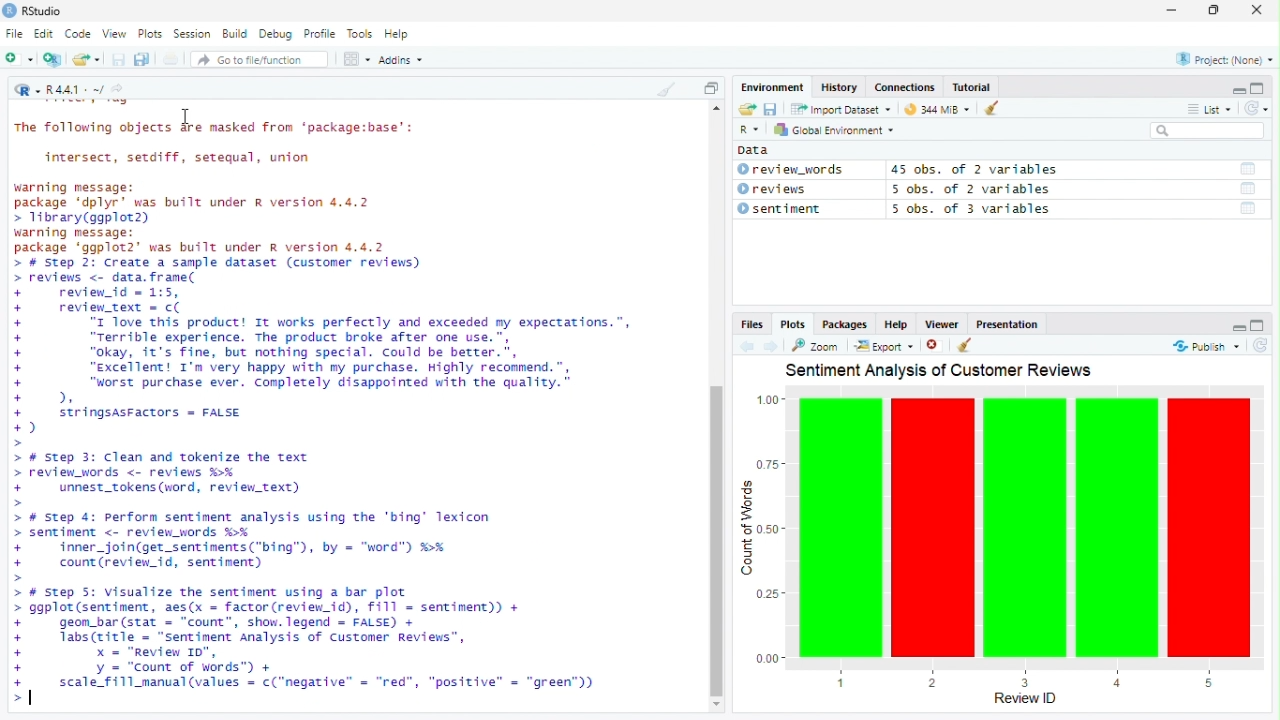  Describe the element at coordinates (400, 59) in the screenshot. I see `Addins ~` at that location.